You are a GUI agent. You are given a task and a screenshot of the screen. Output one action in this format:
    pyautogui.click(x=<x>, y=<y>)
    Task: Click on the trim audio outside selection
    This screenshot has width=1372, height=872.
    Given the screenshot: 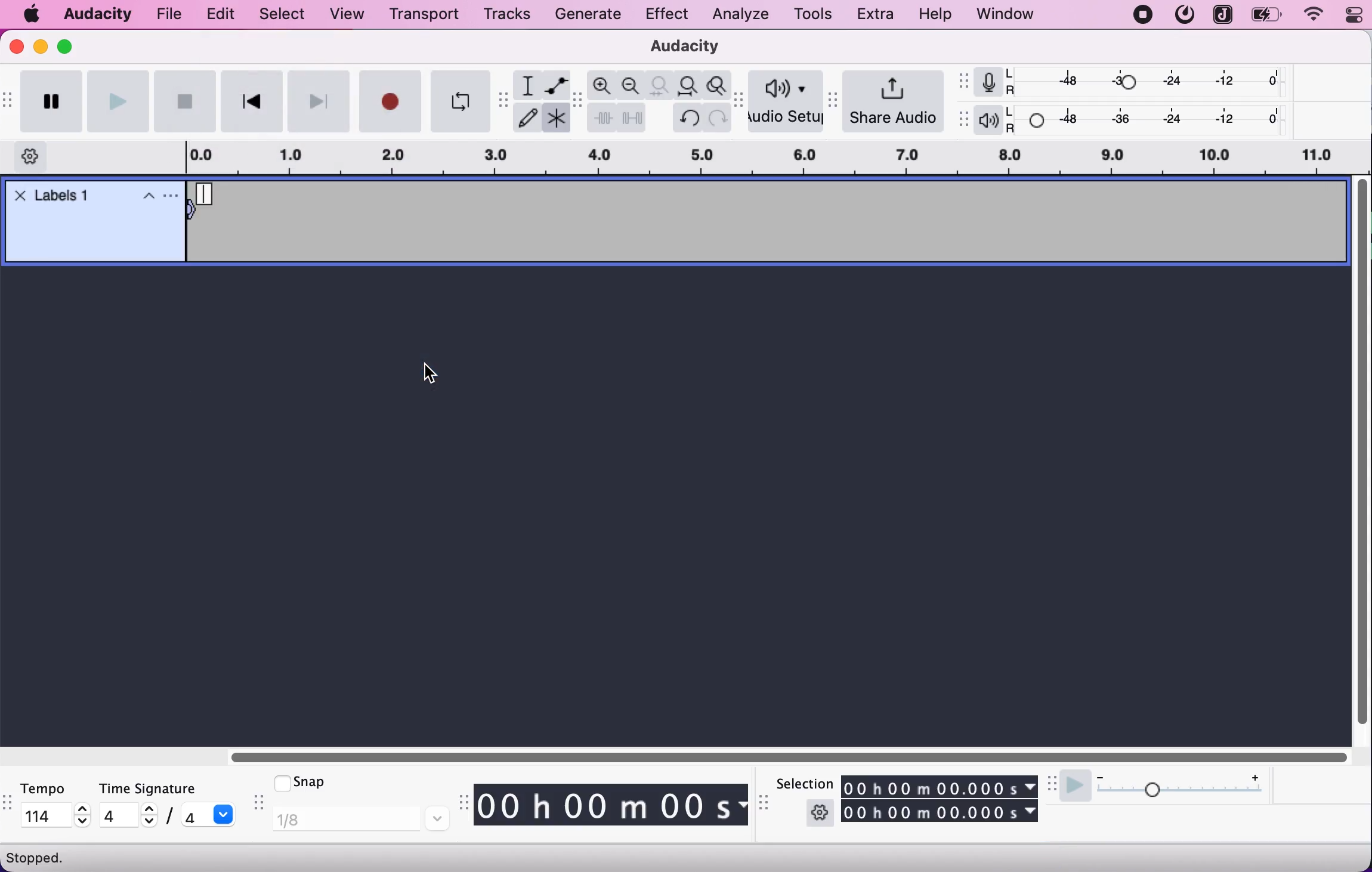 What is the action you would take?
    pyautogui.click(x=602, y=117)
    